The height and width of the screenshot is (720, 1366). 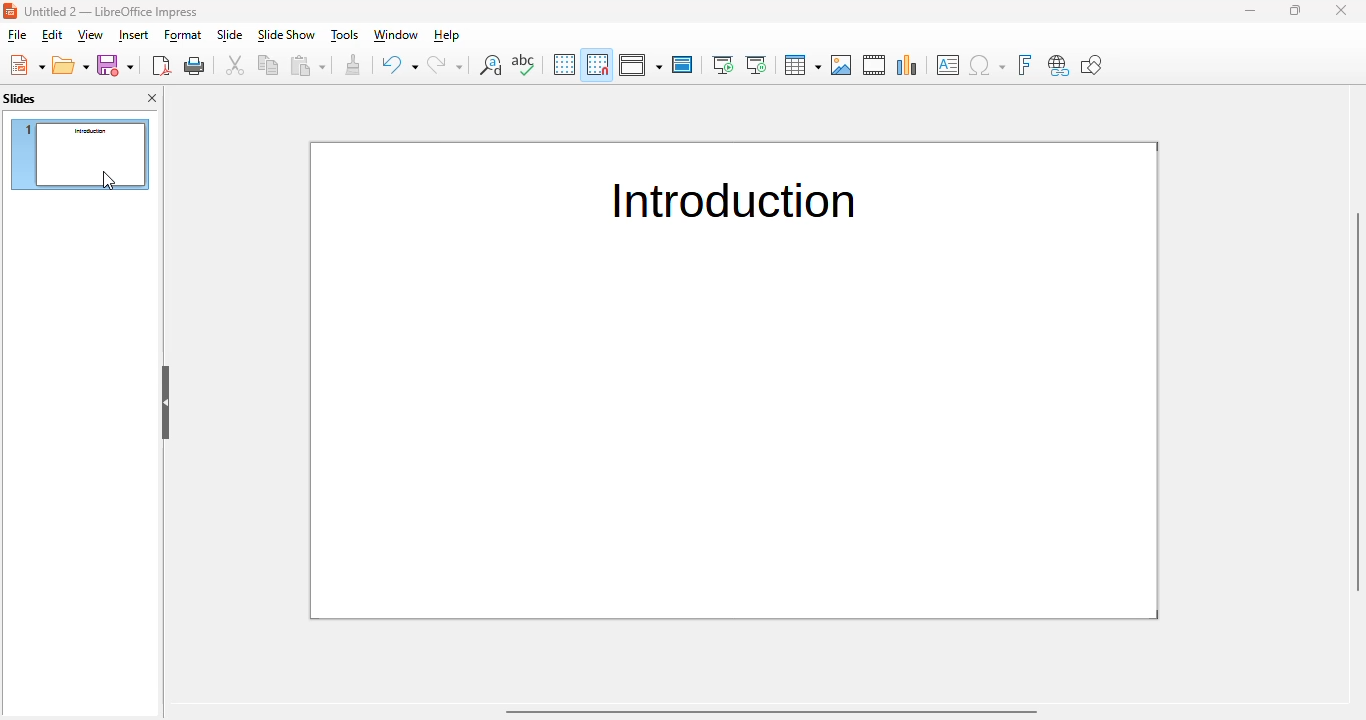 What do you see at coordinates (908, 65) in the screenshot?
I see `insert chart` at bounding box center [908, 65].